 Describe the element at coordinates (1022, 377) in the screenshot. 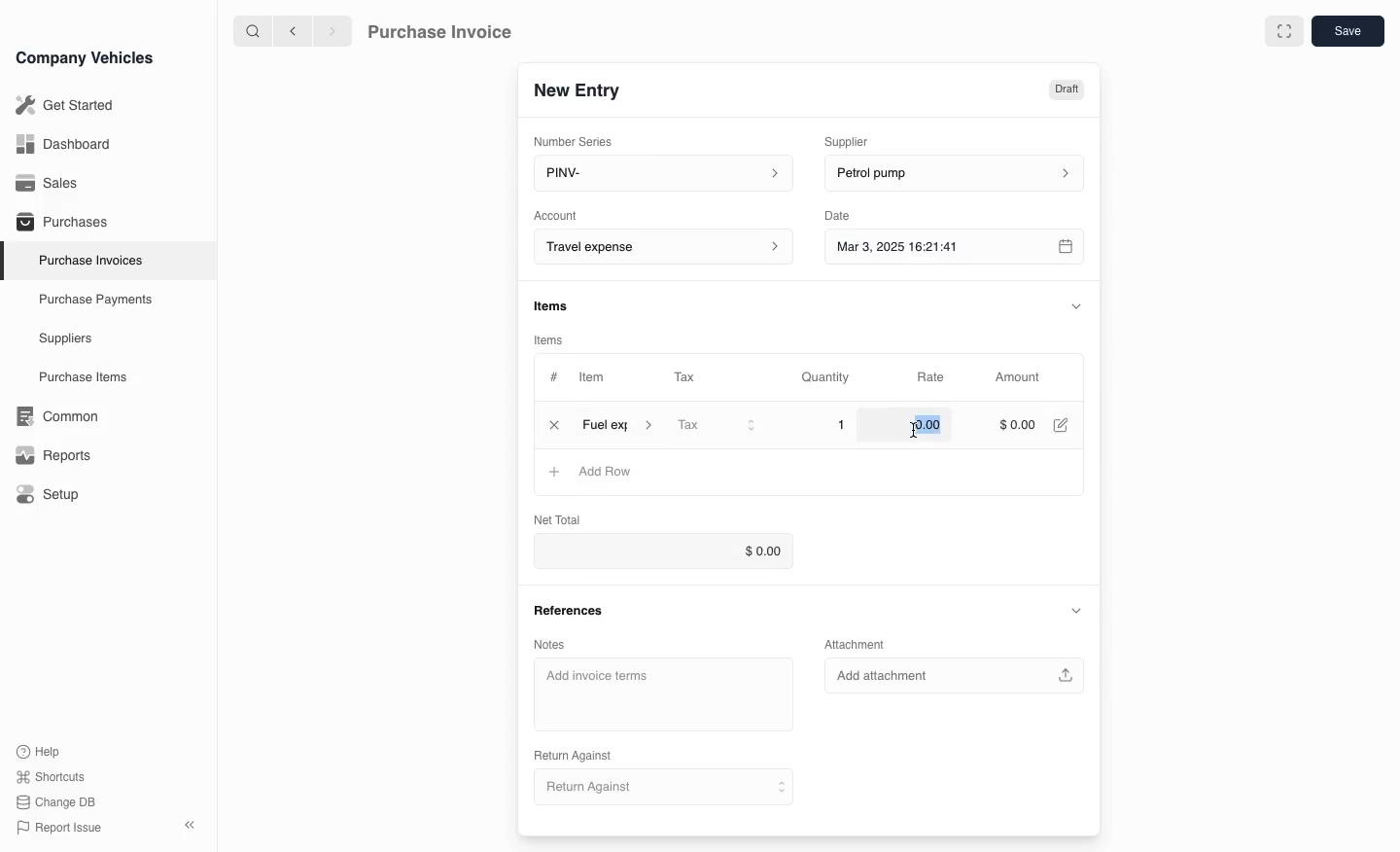

I see `Amount` at that location.